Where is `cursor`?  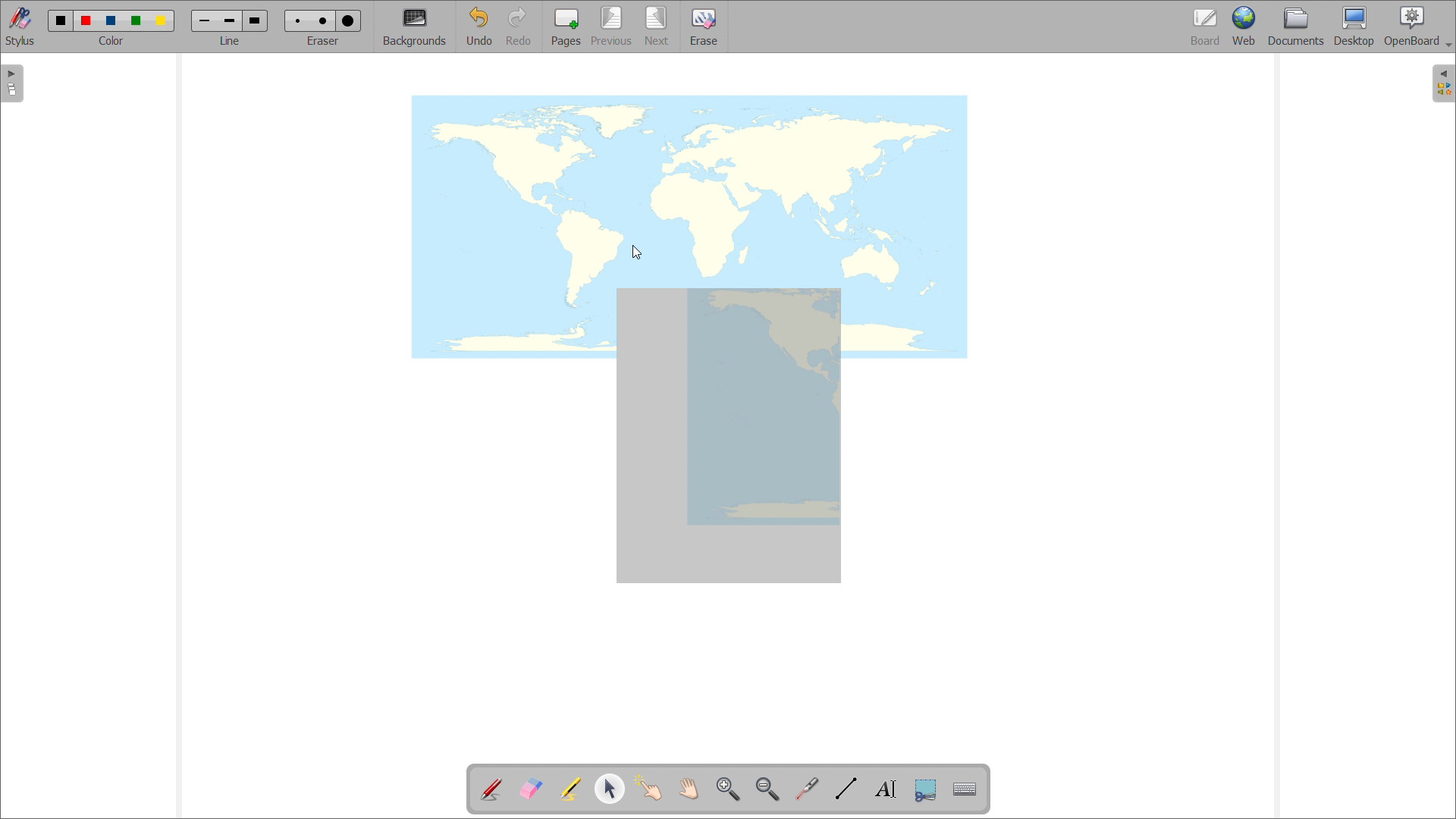 cursor is located at coordinates (637, 250).